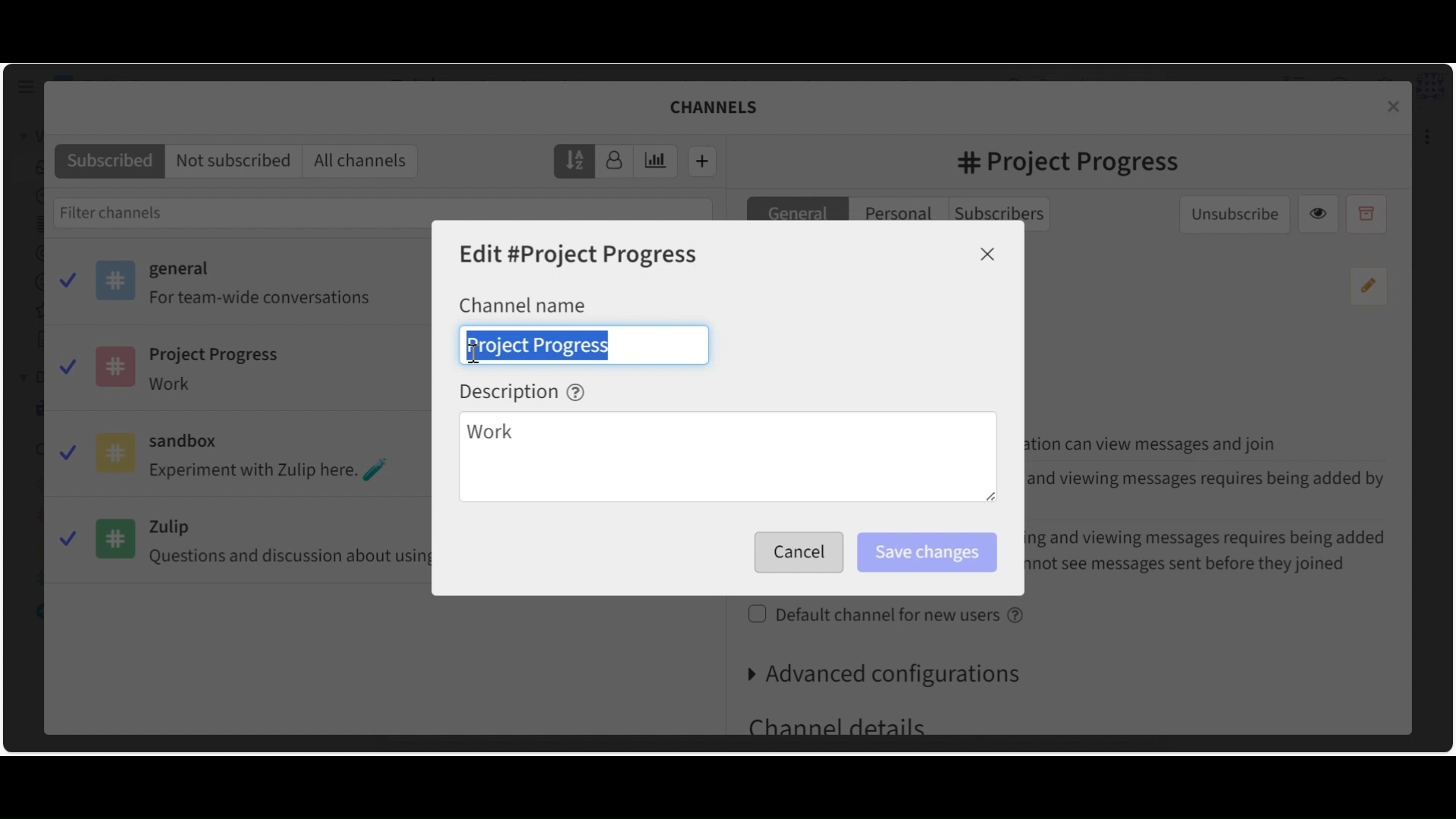  What do you see at coordinates (475, 356) in the screenshot?
I see `cursor` at bounding box center [475, 356].